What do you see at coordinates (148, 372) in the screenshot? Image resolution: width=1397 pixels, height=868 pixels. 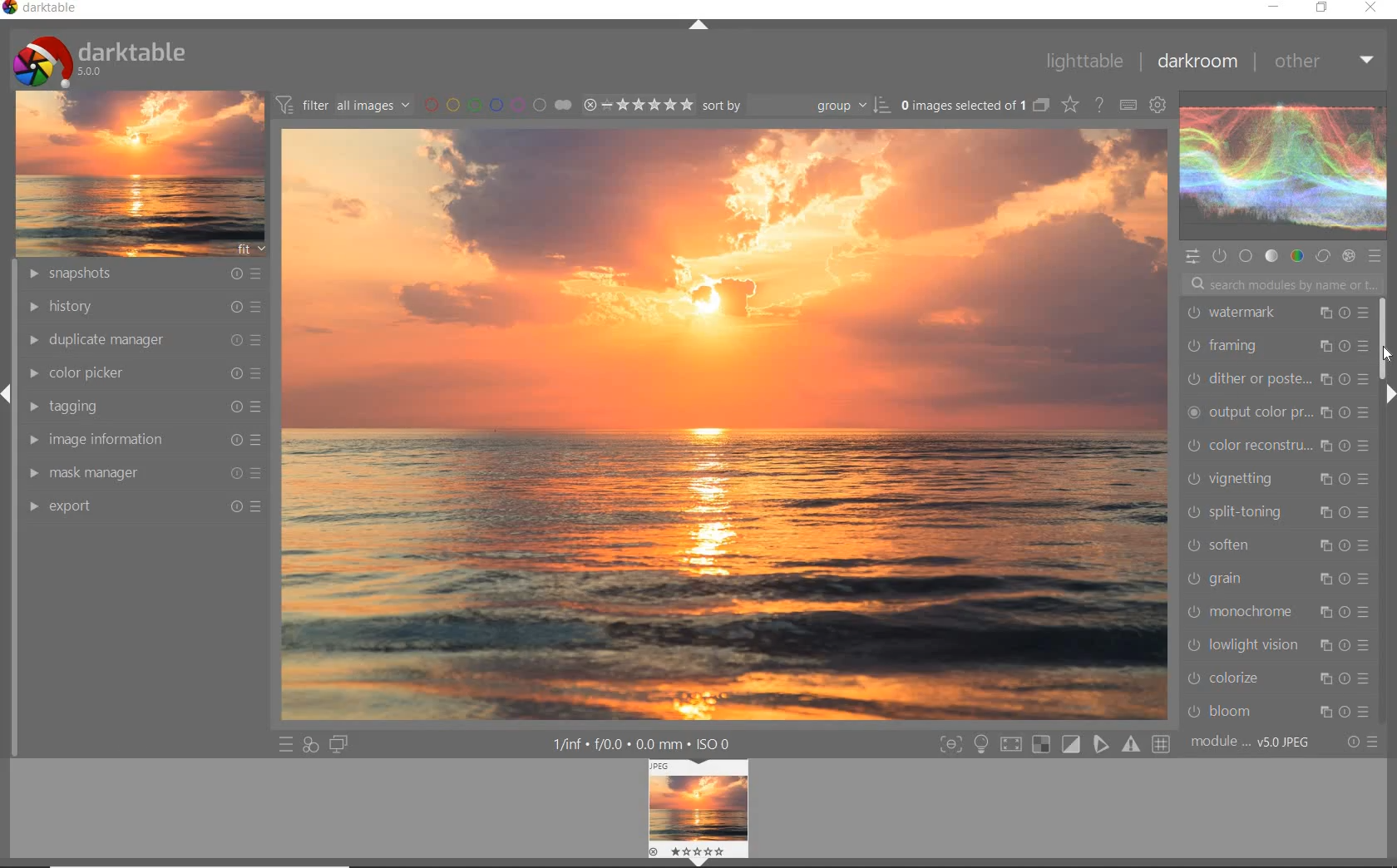 I see `COLOR PICKER` at bounding box center [148, 372].